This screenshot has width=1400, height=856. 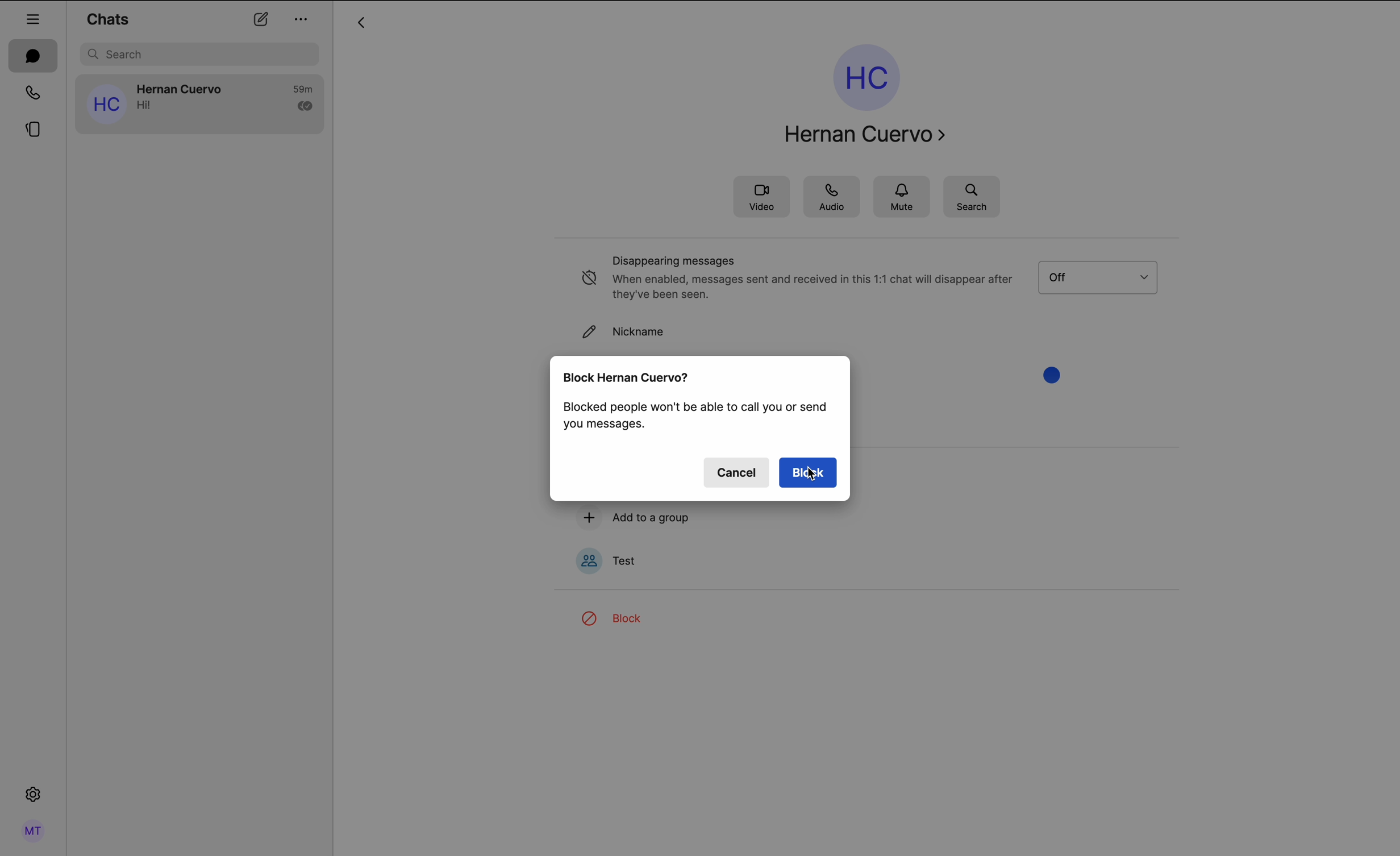 What do you see at coordinates (35, 833) in the screenshot?
I see `profile` at bounding box center [35, 833].